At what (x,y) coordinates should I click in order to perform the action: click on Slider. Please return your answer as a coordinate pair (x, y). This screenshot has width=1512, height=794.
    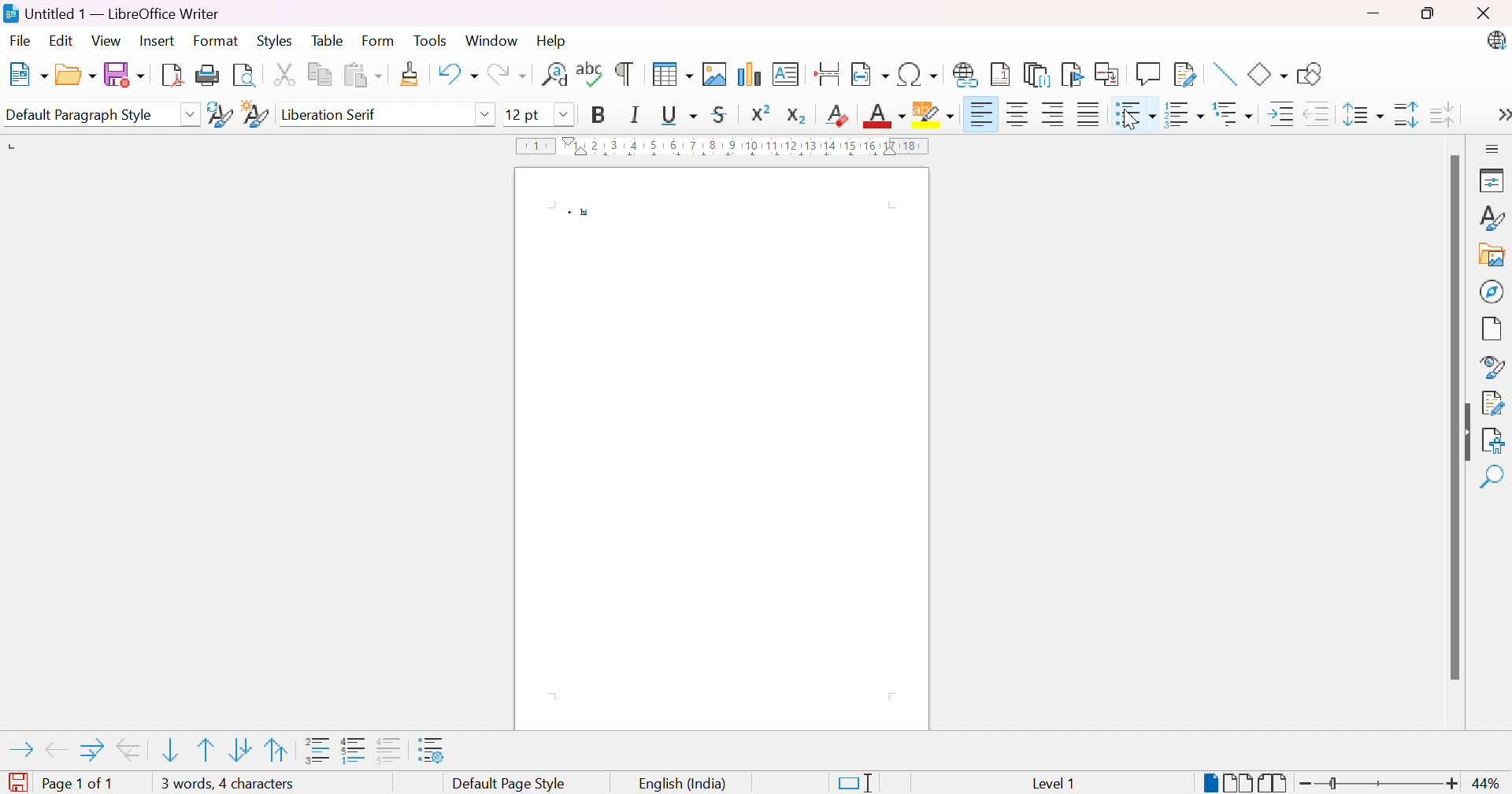
    Looking at the image, I should click on (1332, 782).